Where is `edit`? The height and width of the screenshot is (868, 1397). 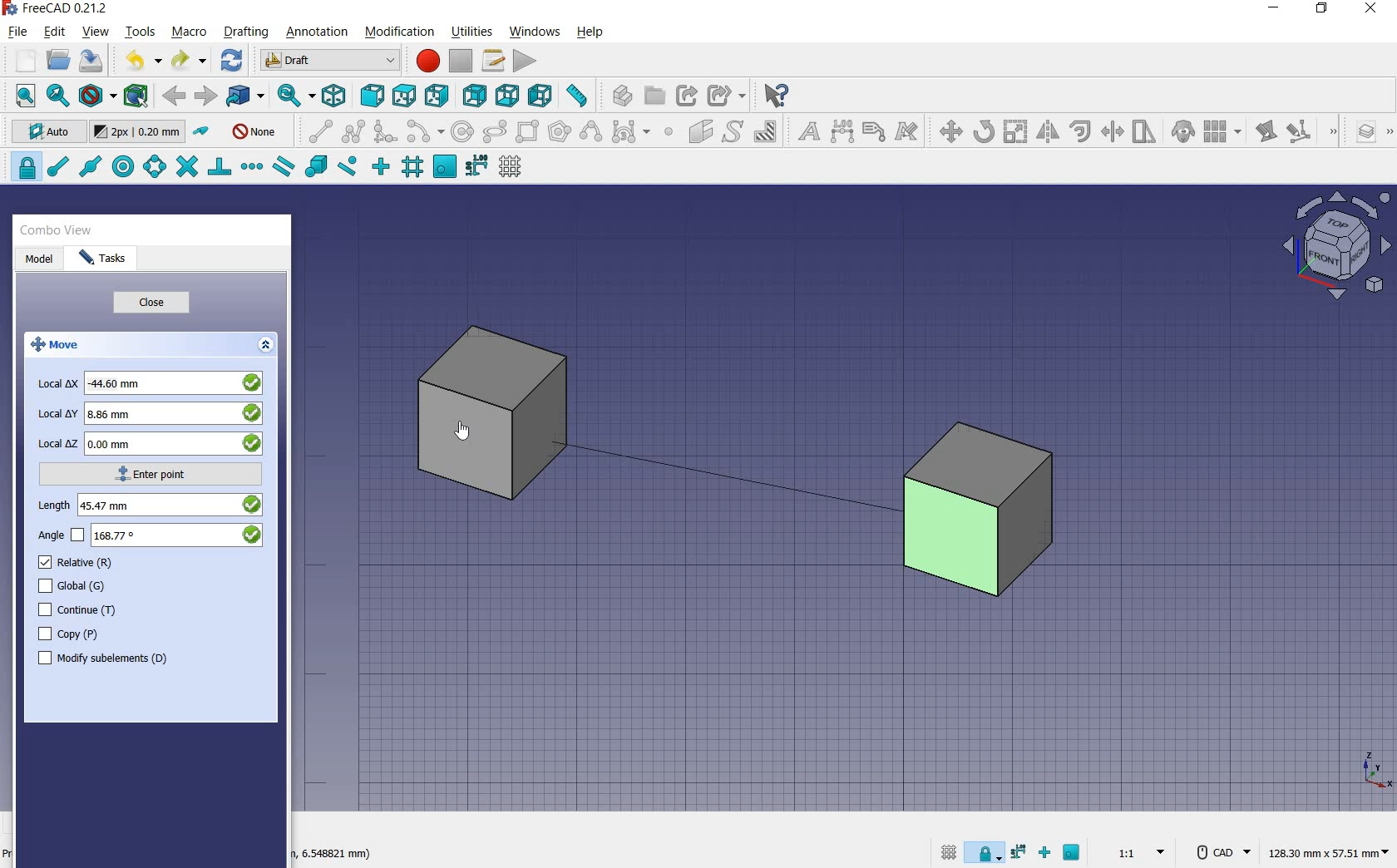 edit is located at coordinates (1266, 131).